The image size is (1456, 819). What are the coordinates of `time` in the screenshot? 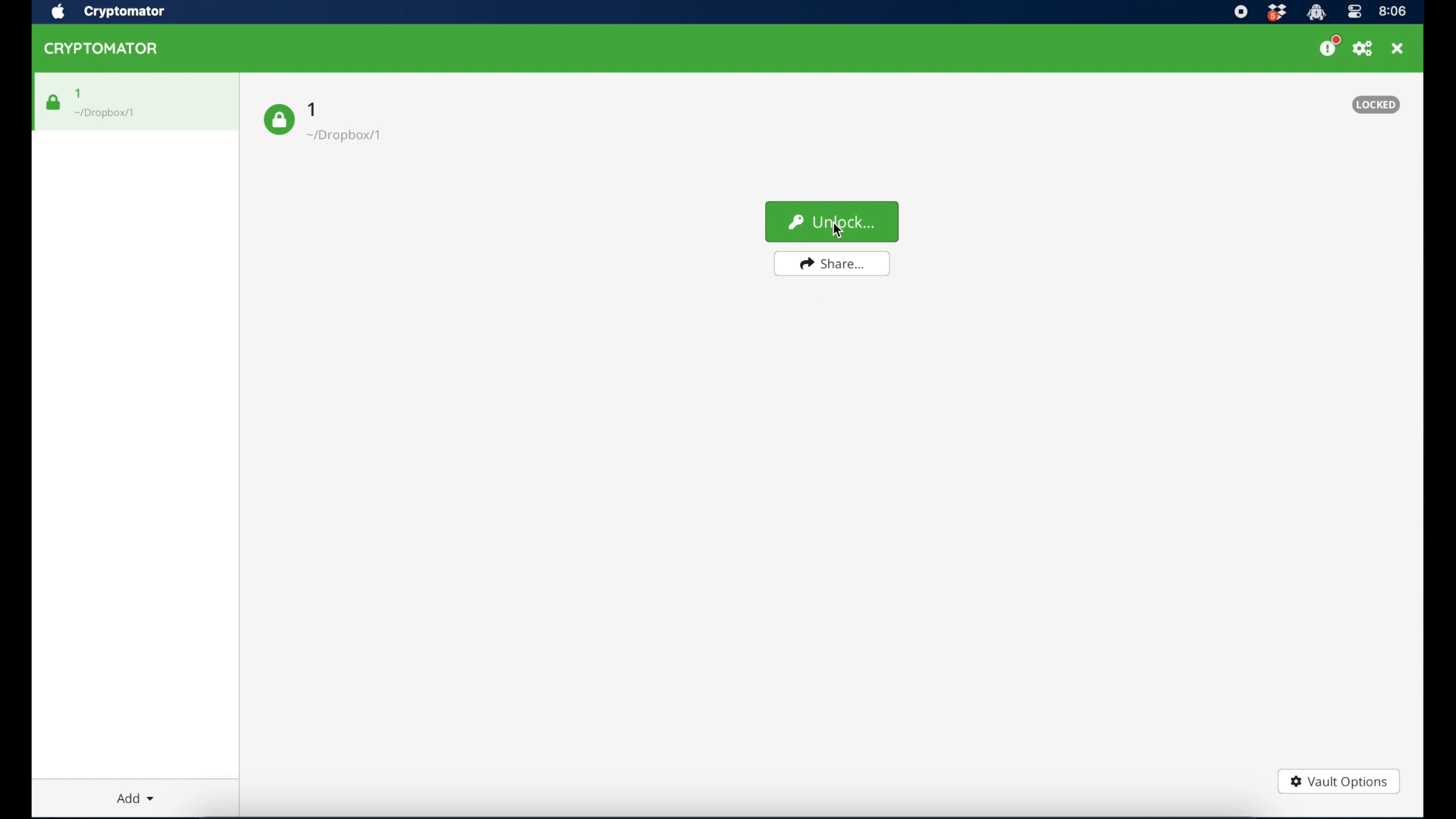 It's located at (1393, 11).